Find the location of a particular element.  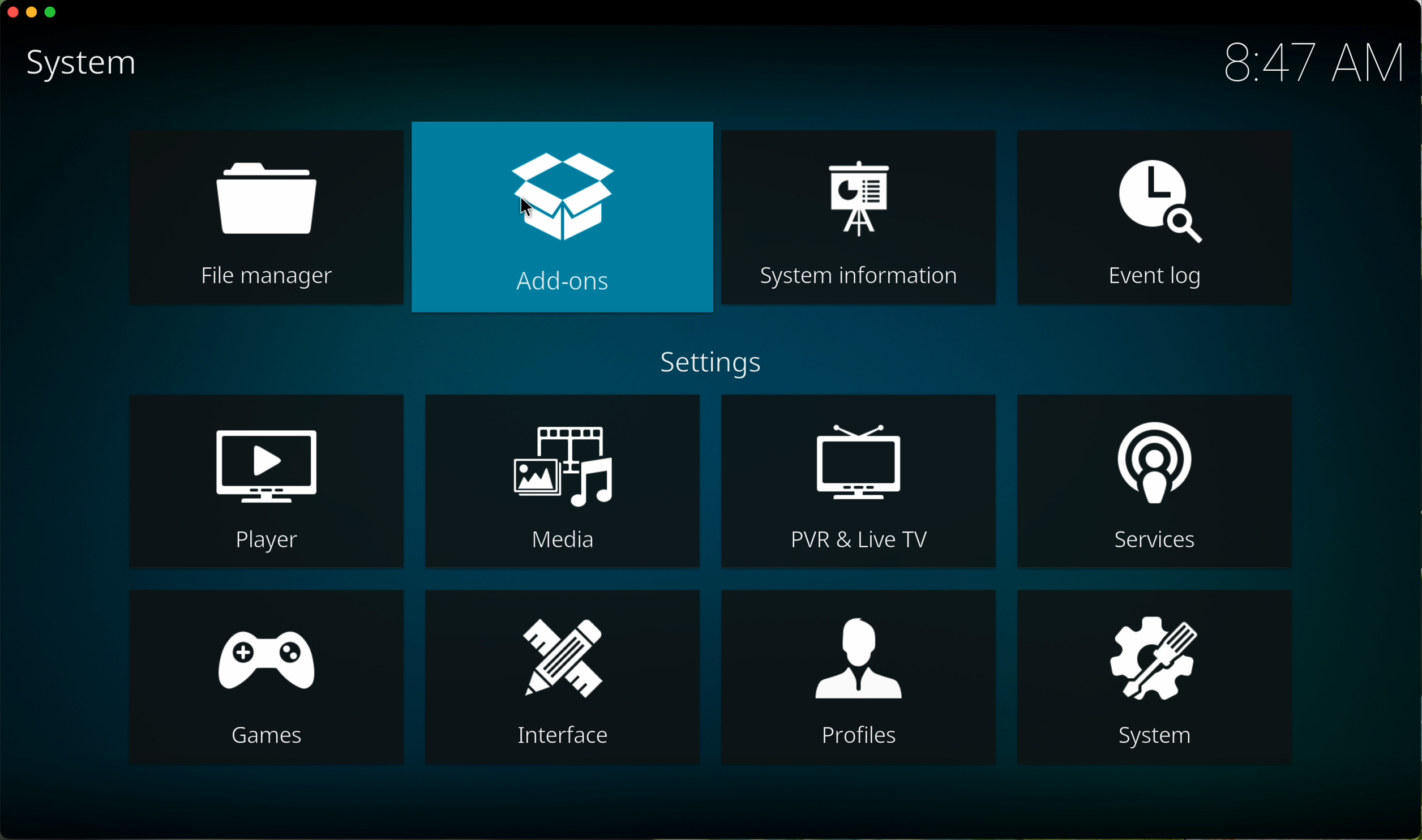

games is located at coordinates (269, 676).